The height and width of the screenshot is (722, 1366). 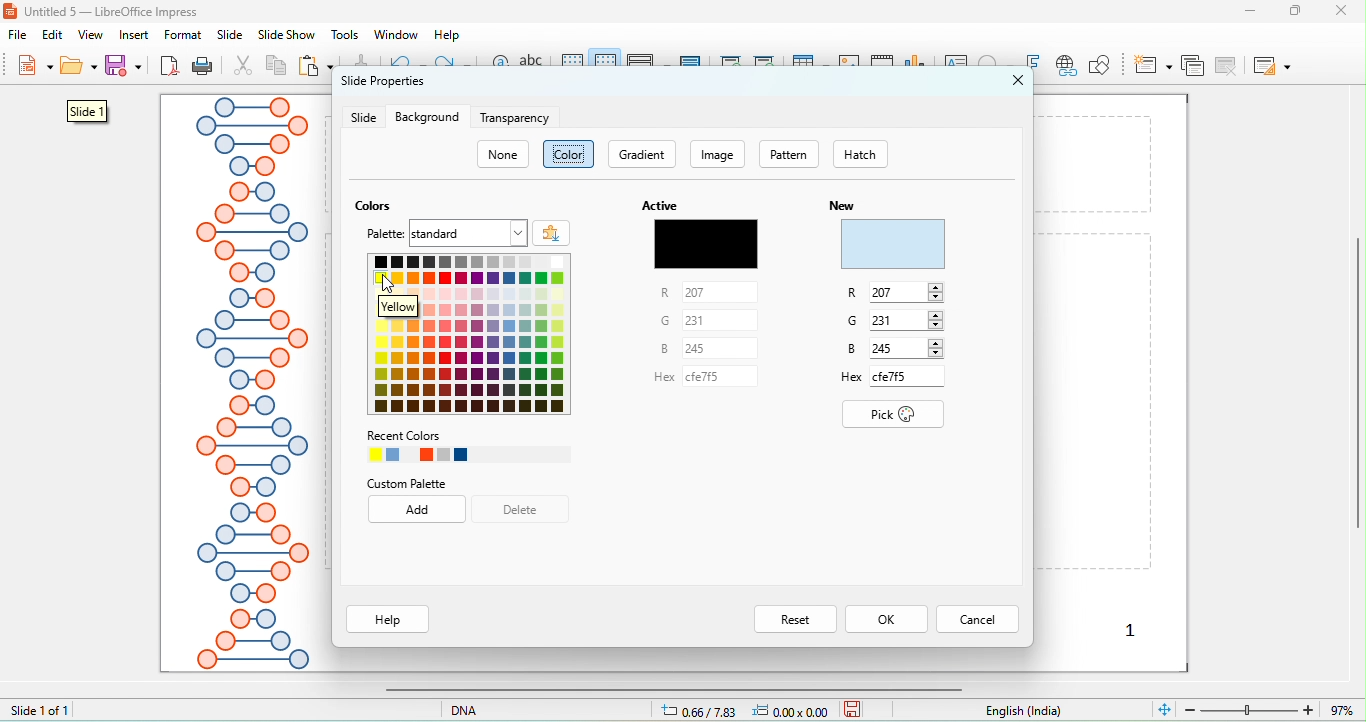 I want to click on image, so click(x=720, y=154).